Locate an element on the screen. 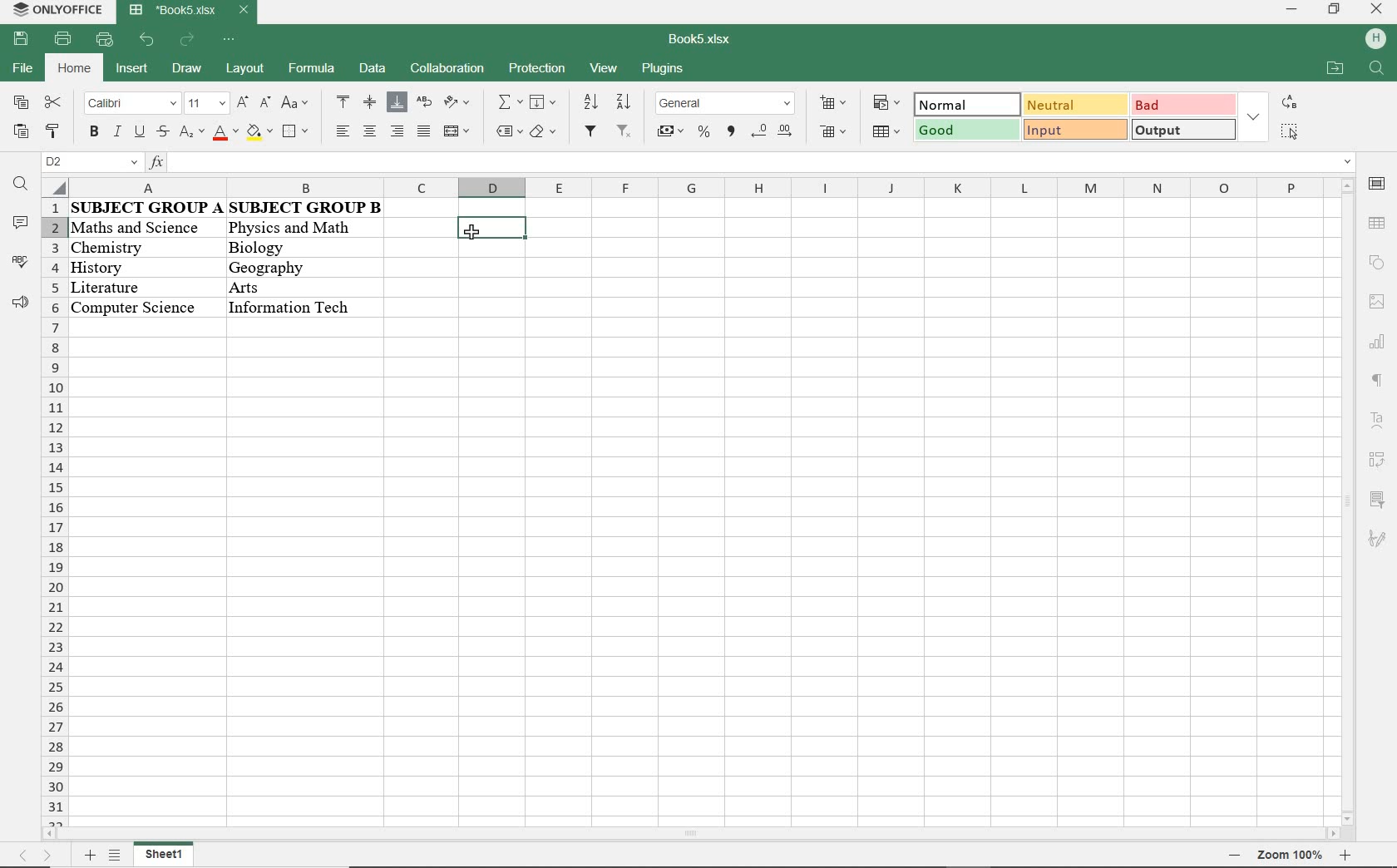  sign is located at coordinates (1377, 36).